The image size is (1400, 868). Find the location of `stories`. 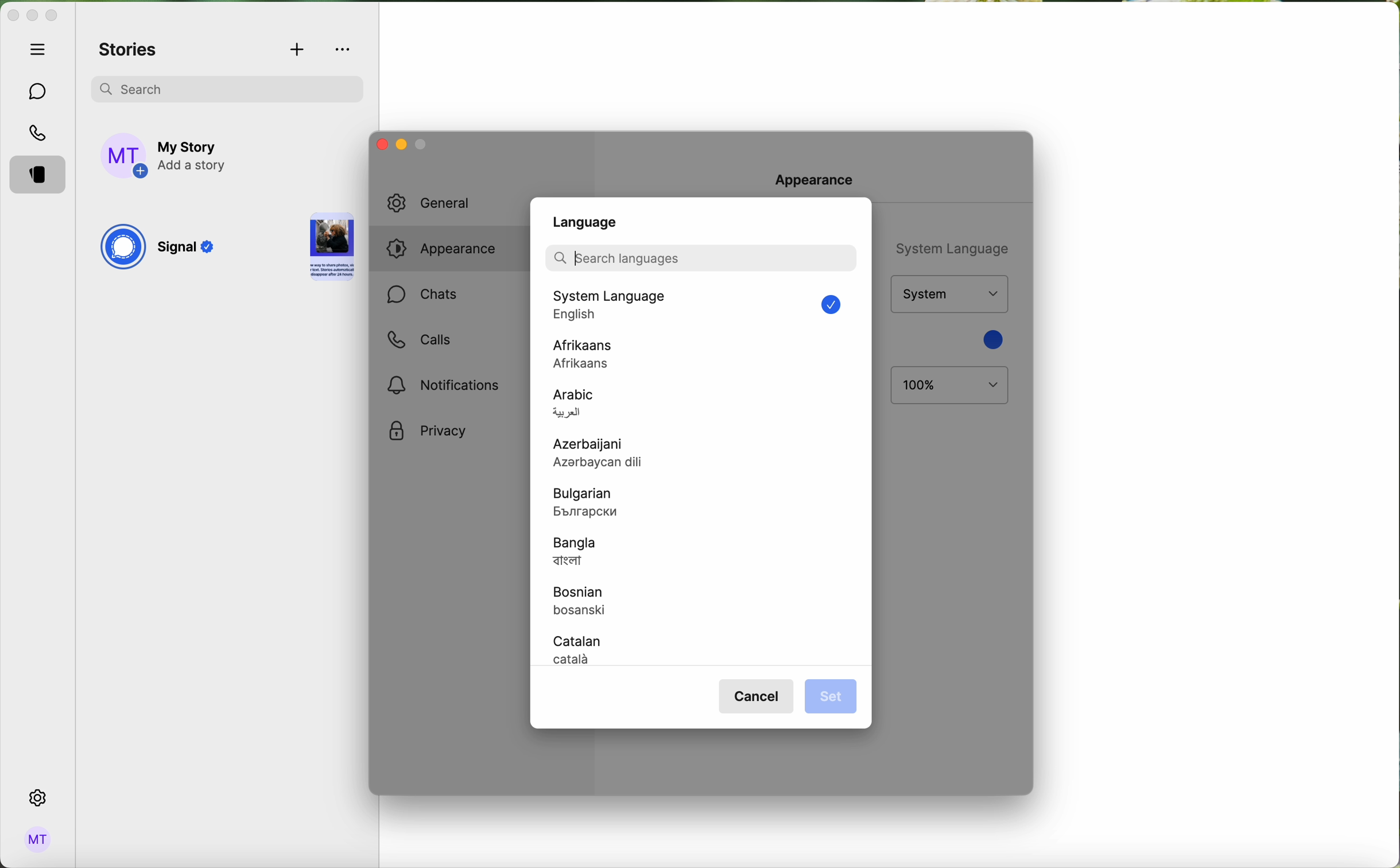

stories is located at coordinates (41, 176).